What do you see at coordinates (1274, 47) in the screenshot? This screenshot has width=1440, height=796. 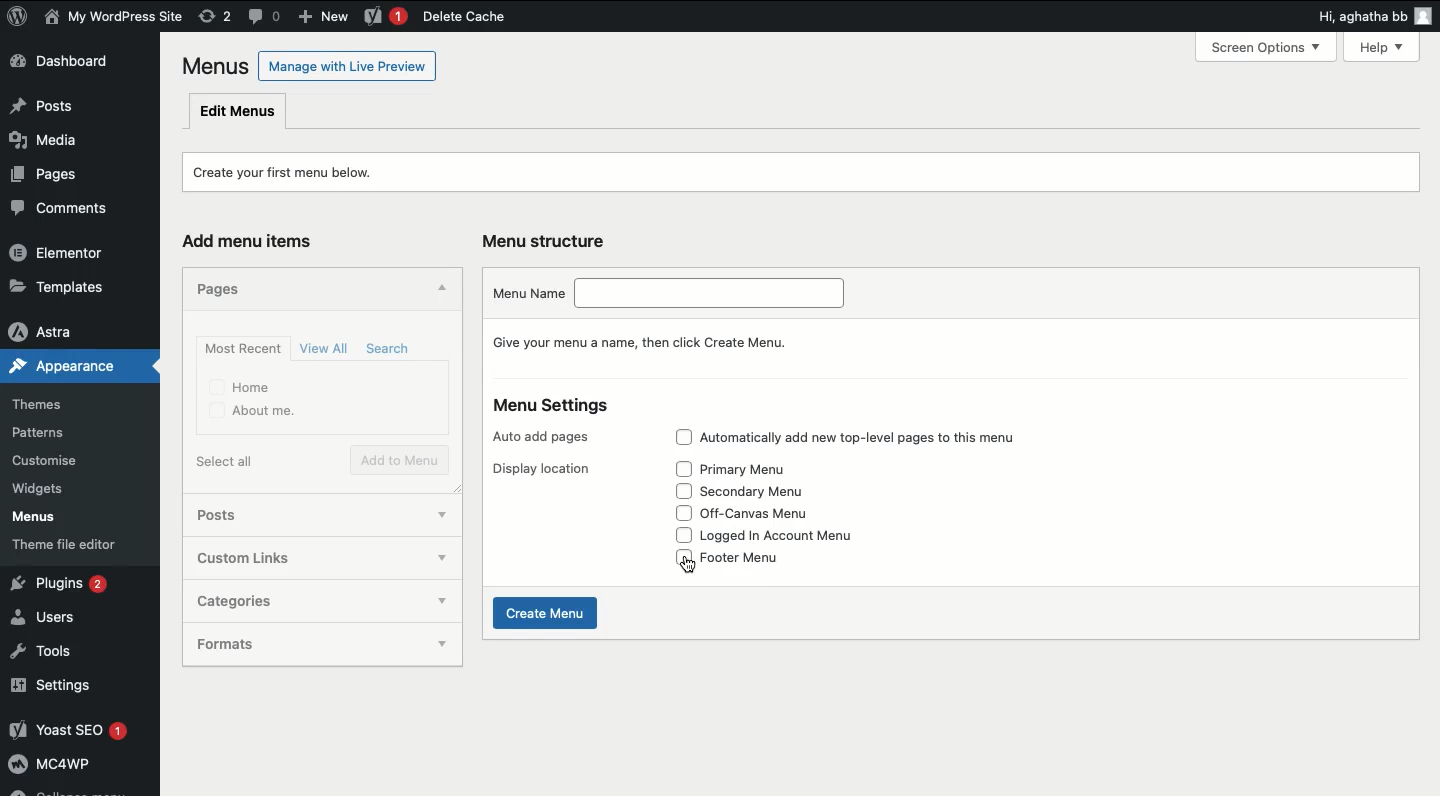 I see `Screen Options ` at bounding box center [1274, 47].